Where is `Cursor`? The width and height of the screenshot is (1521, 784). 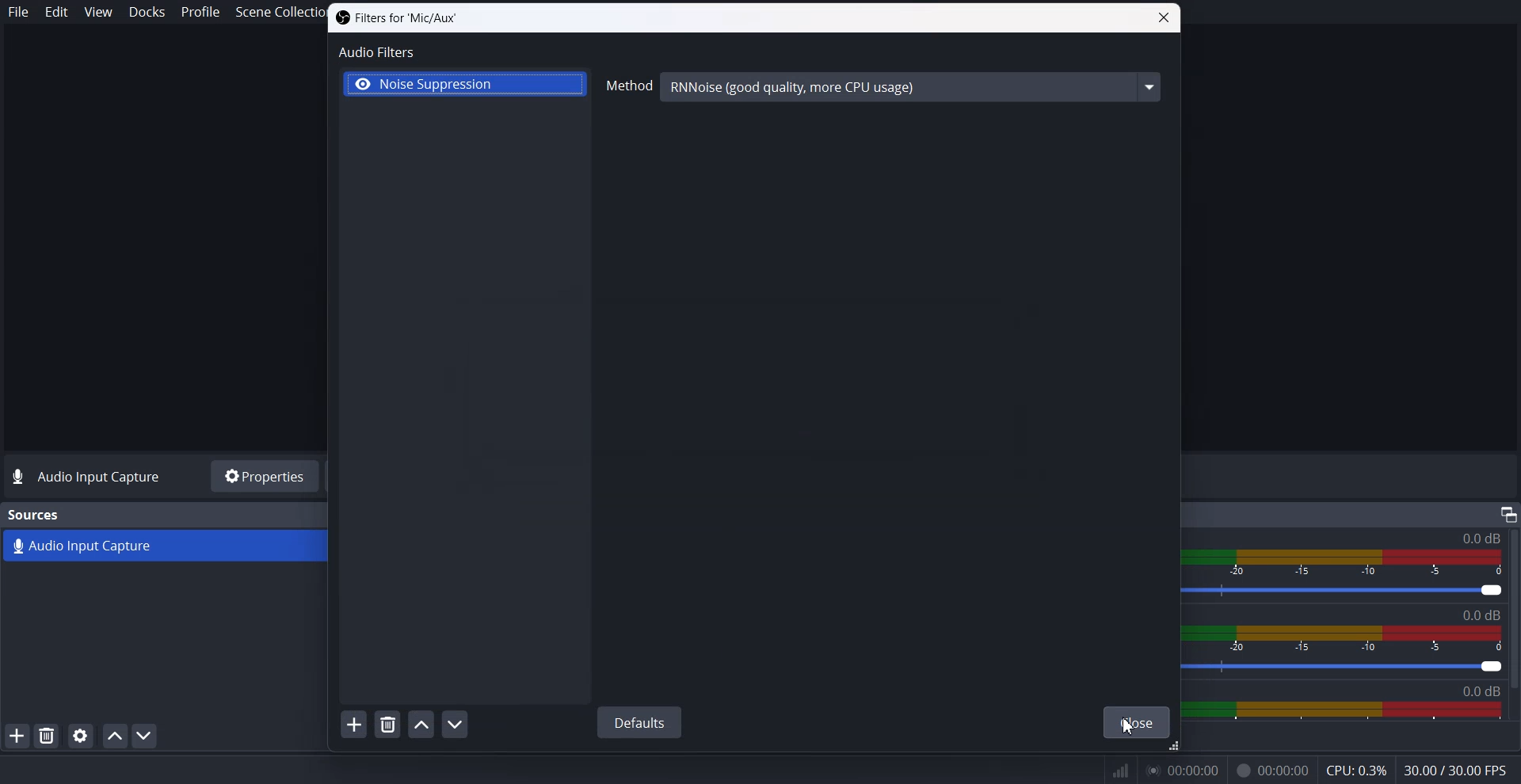
Cursor is located at coordinates (382, 657).